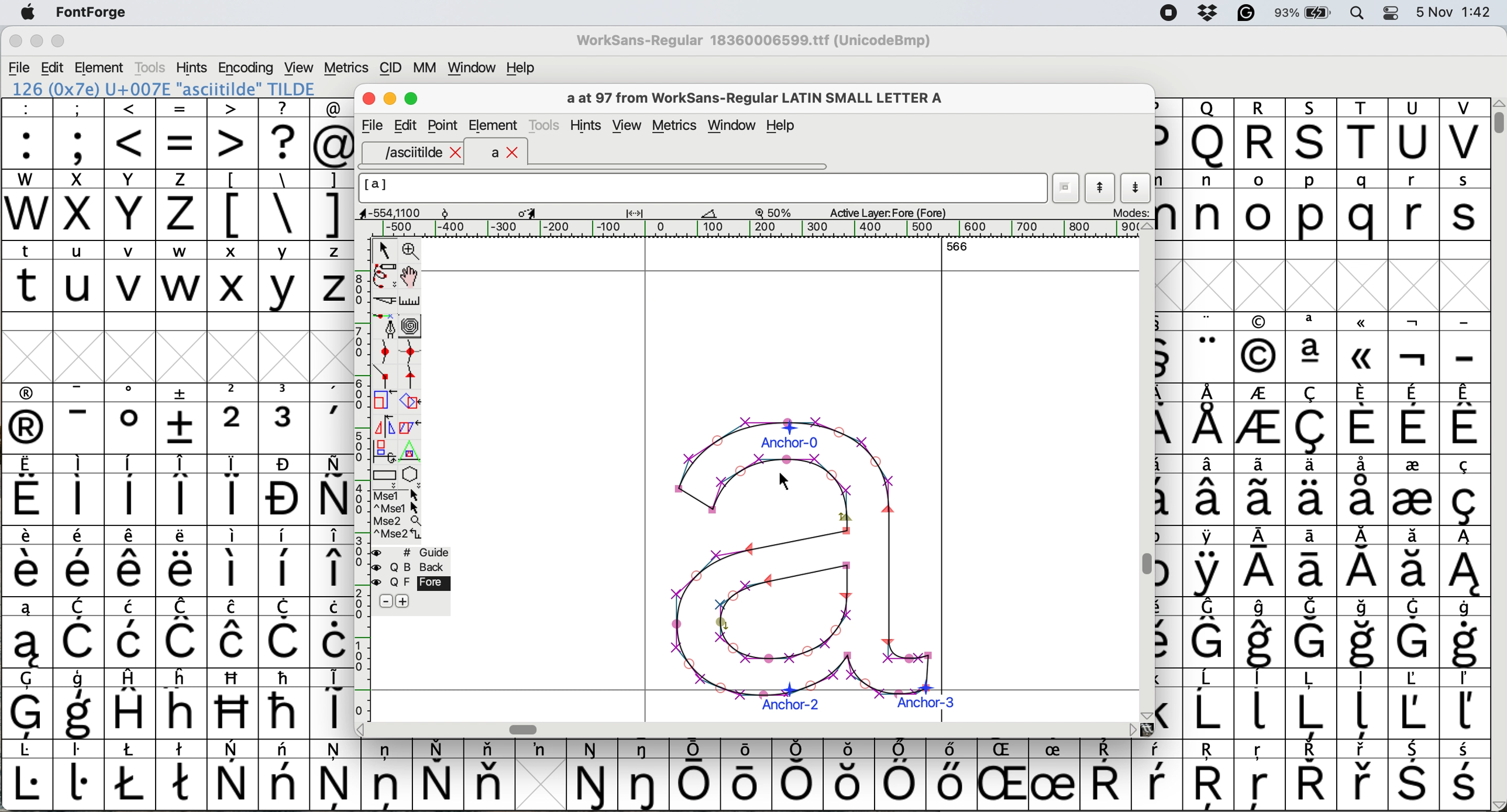  Describe the element at coordinates (418, 550) in the screenshot. I see `guide` at that location.